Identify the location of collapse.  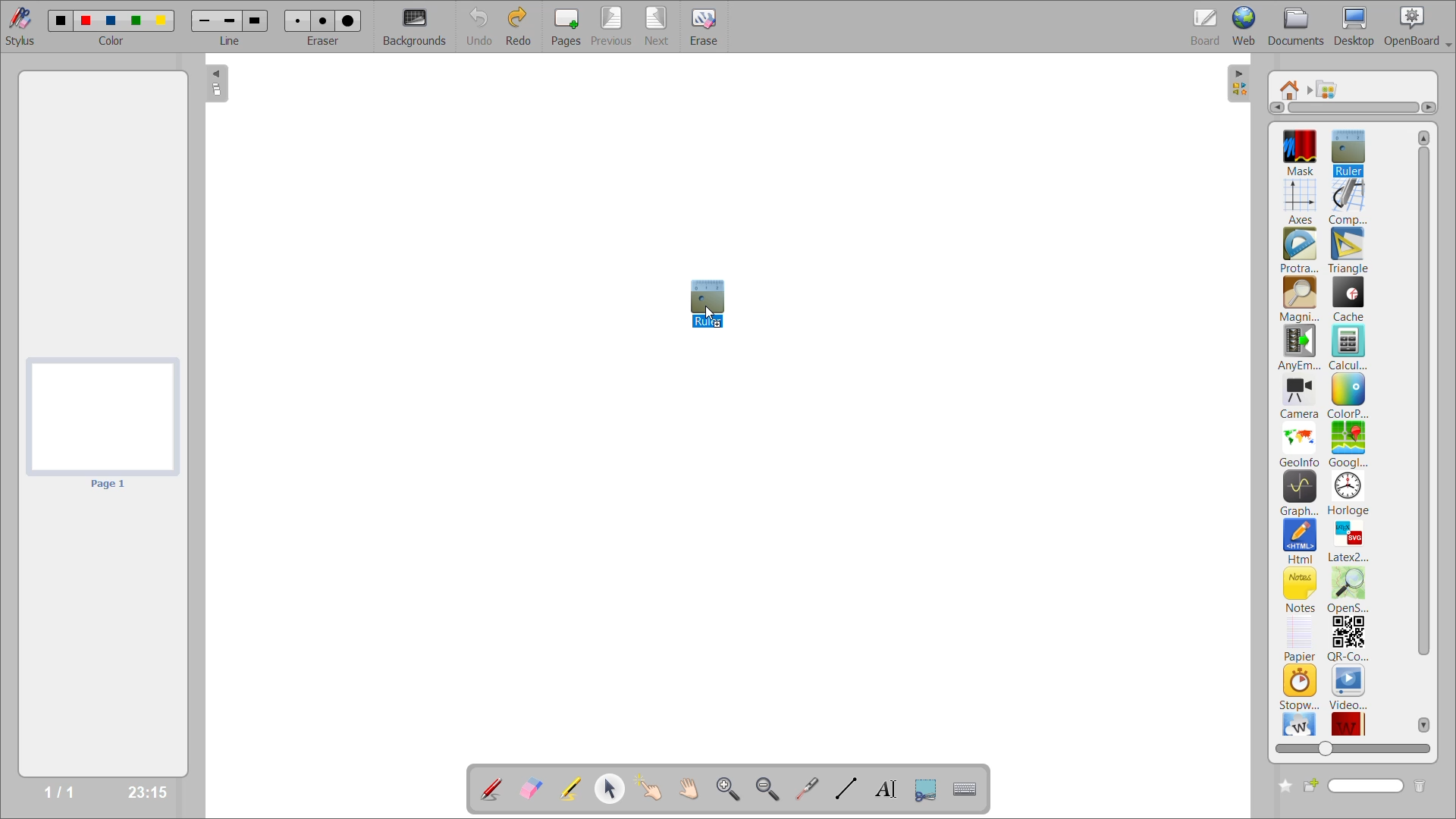
(1241, 84).